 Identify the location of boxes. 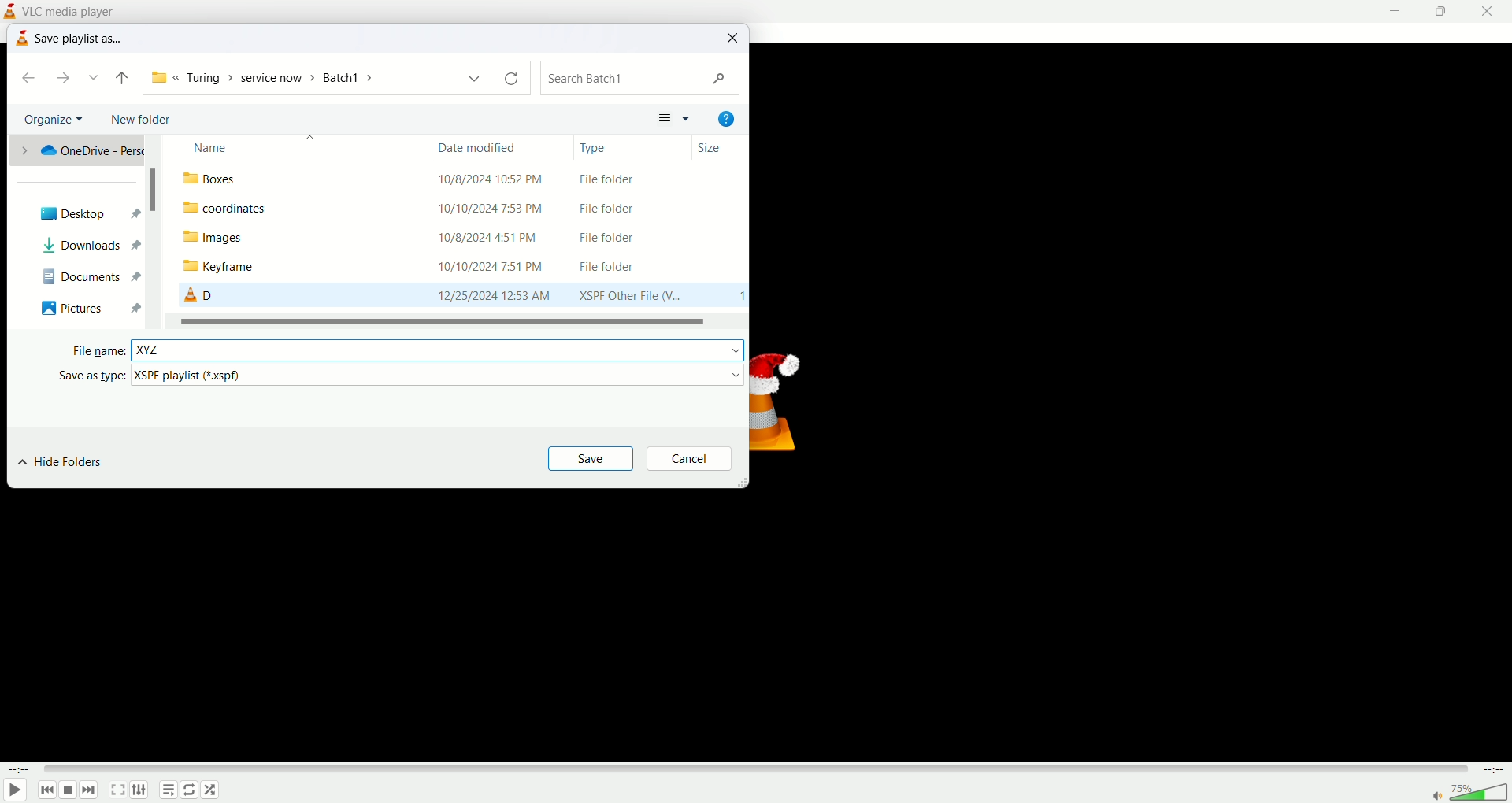
(217, 179).